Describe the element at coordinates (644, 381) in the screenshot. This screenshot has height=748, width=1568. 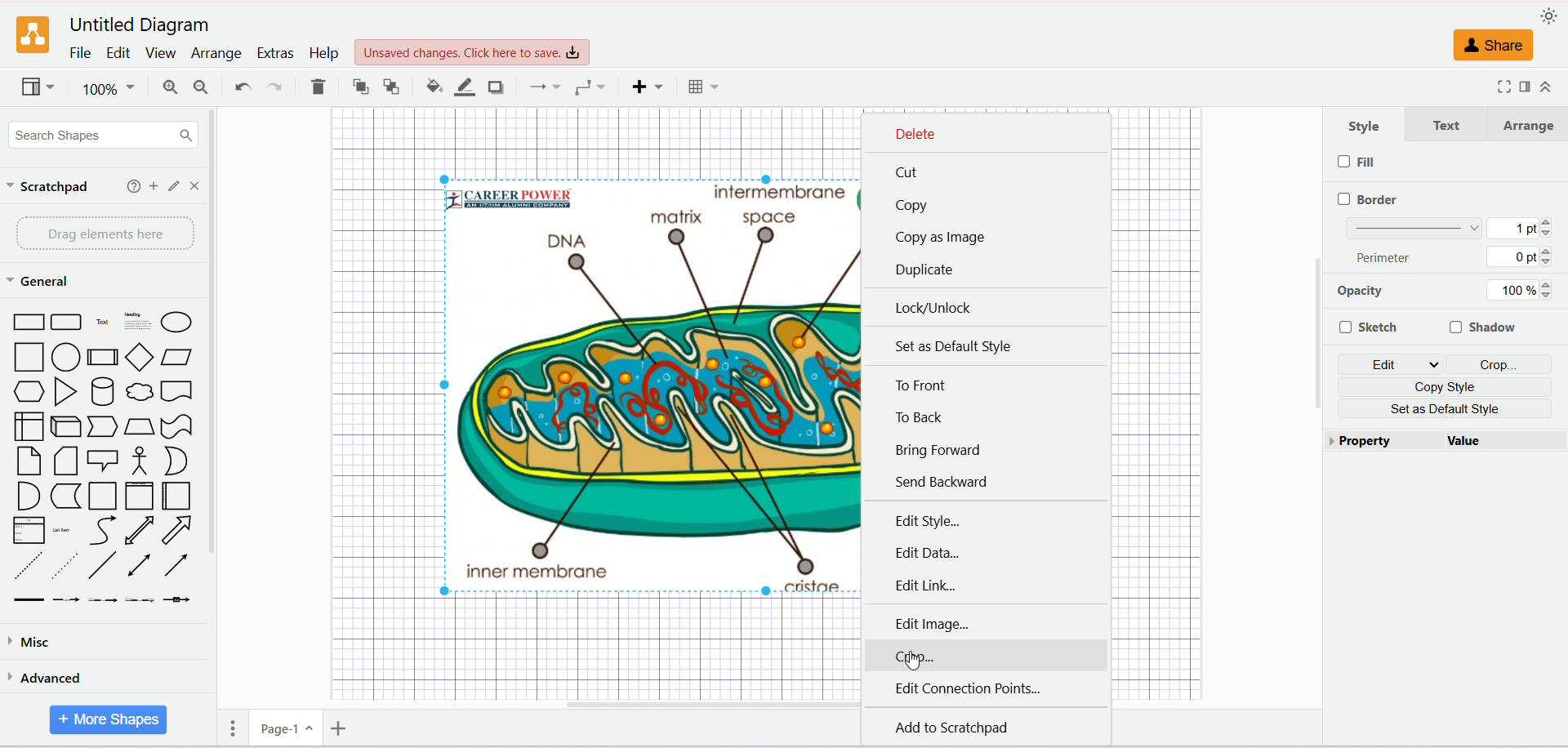
I see `Selected Image ` at that location.